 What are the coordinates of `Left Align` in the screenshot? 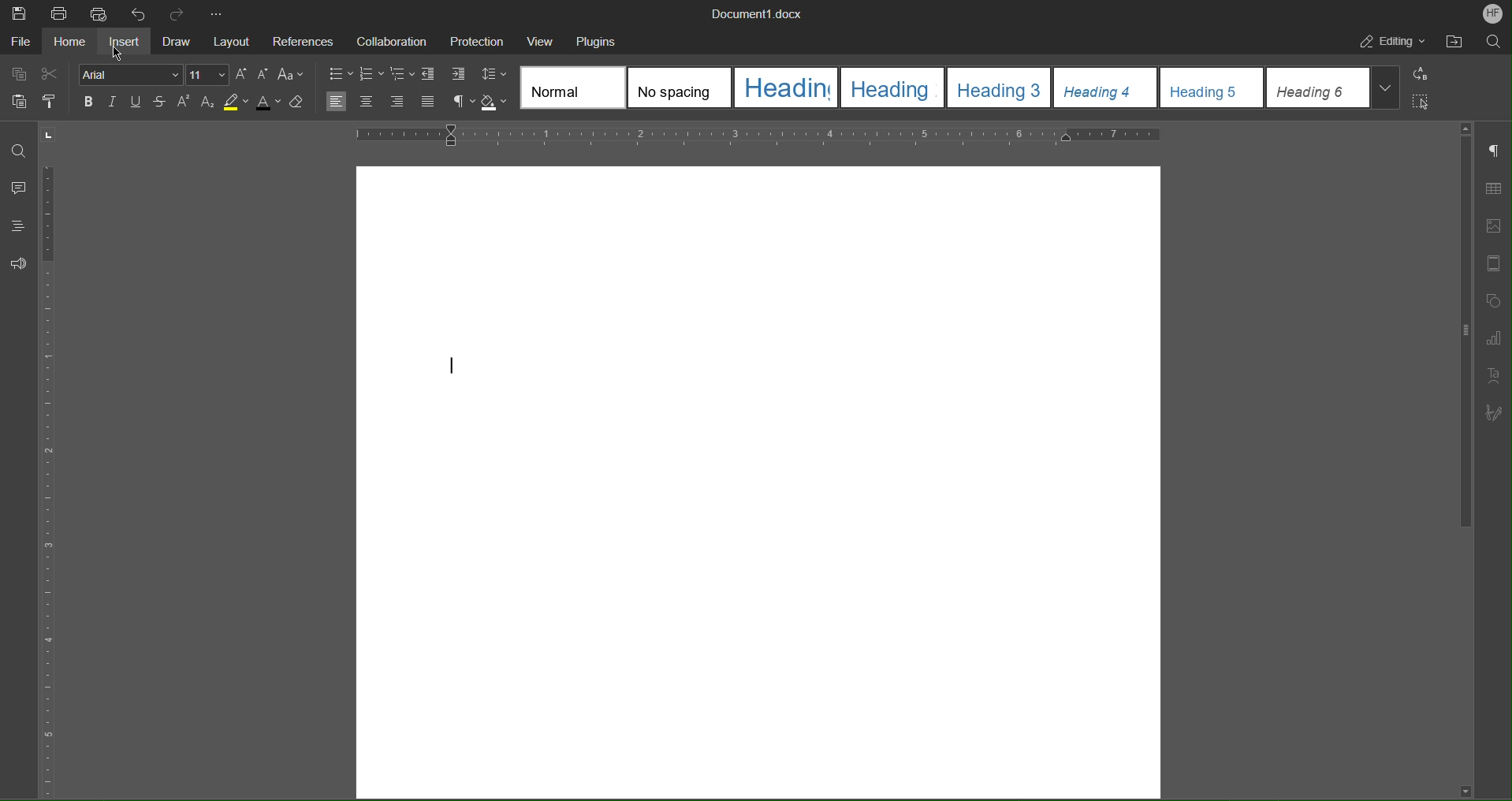 It's located at (335, 102).